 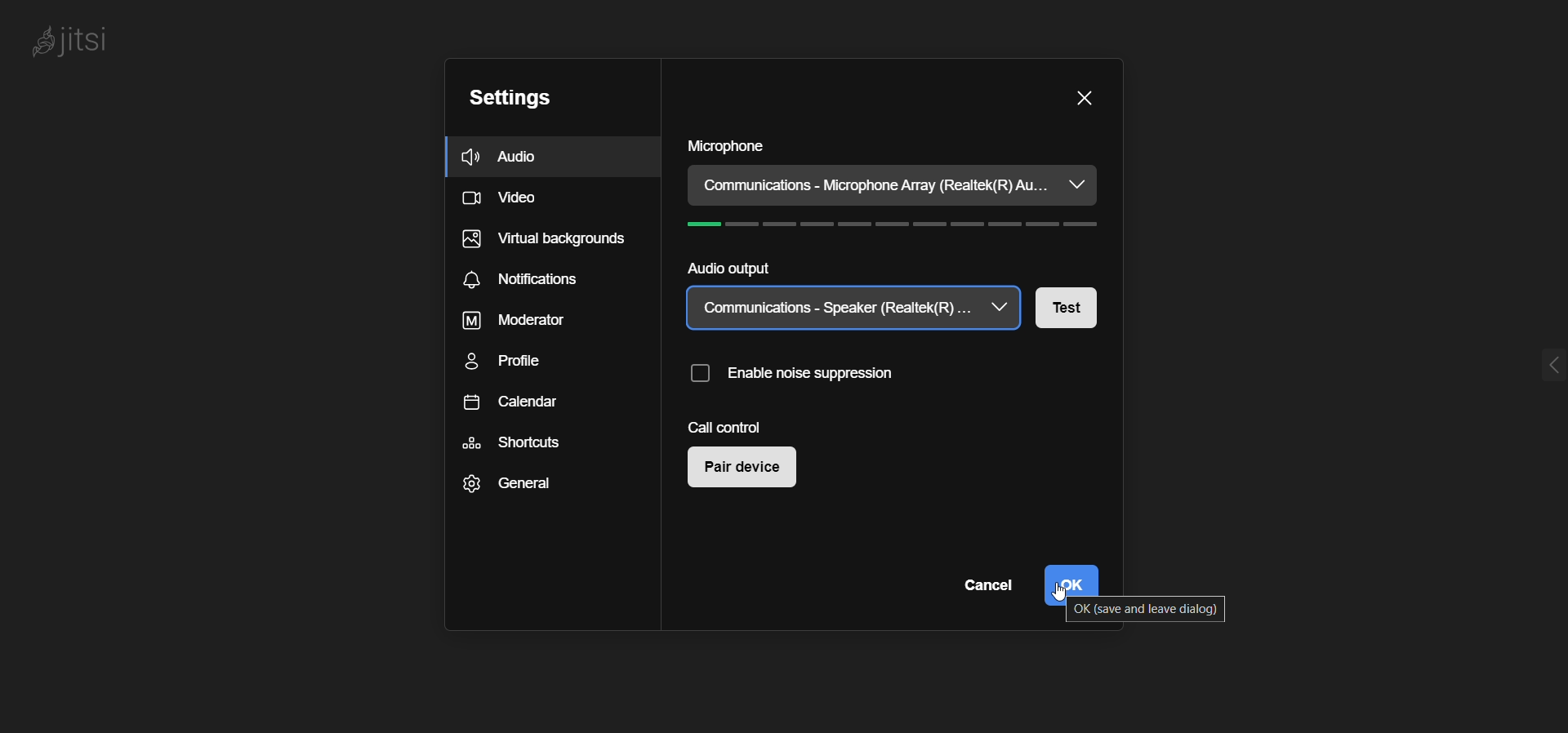 I want to click on call control, so click(x=727, y=427).